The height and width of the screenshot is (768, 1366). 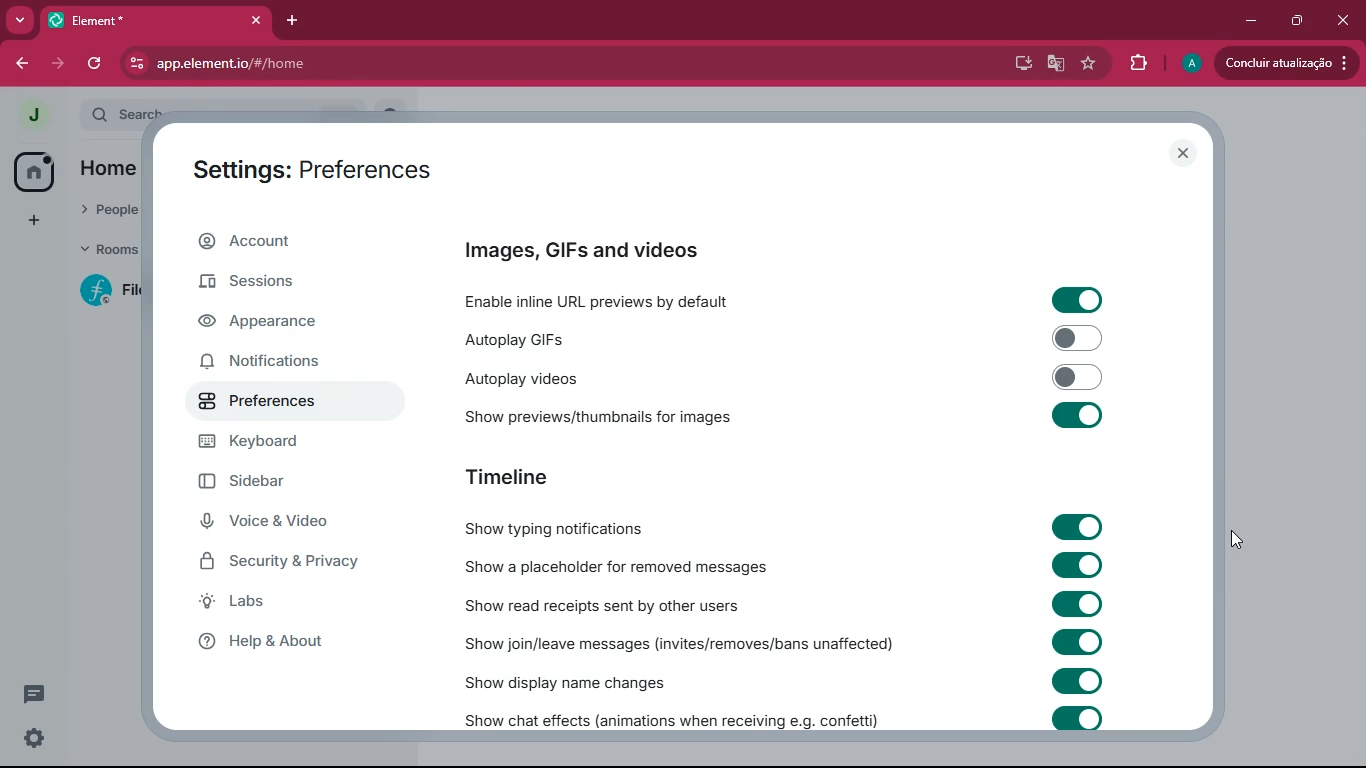 I want to click on update, so click(x=1282, y=63).